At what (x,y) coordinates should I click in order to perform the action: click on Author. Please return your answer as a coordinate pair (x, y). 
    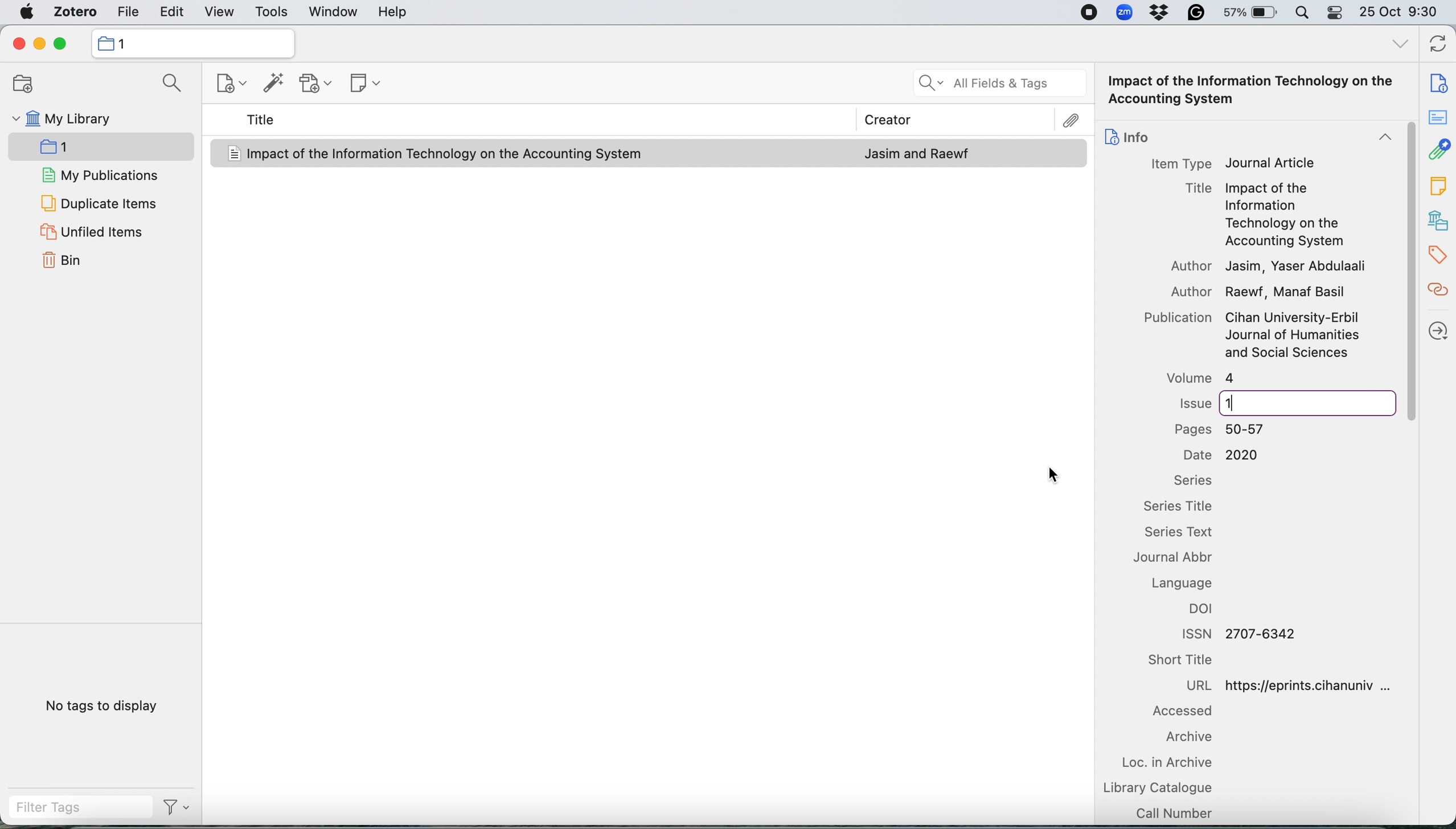
    Looking at the image, I should click on (1191, 266).